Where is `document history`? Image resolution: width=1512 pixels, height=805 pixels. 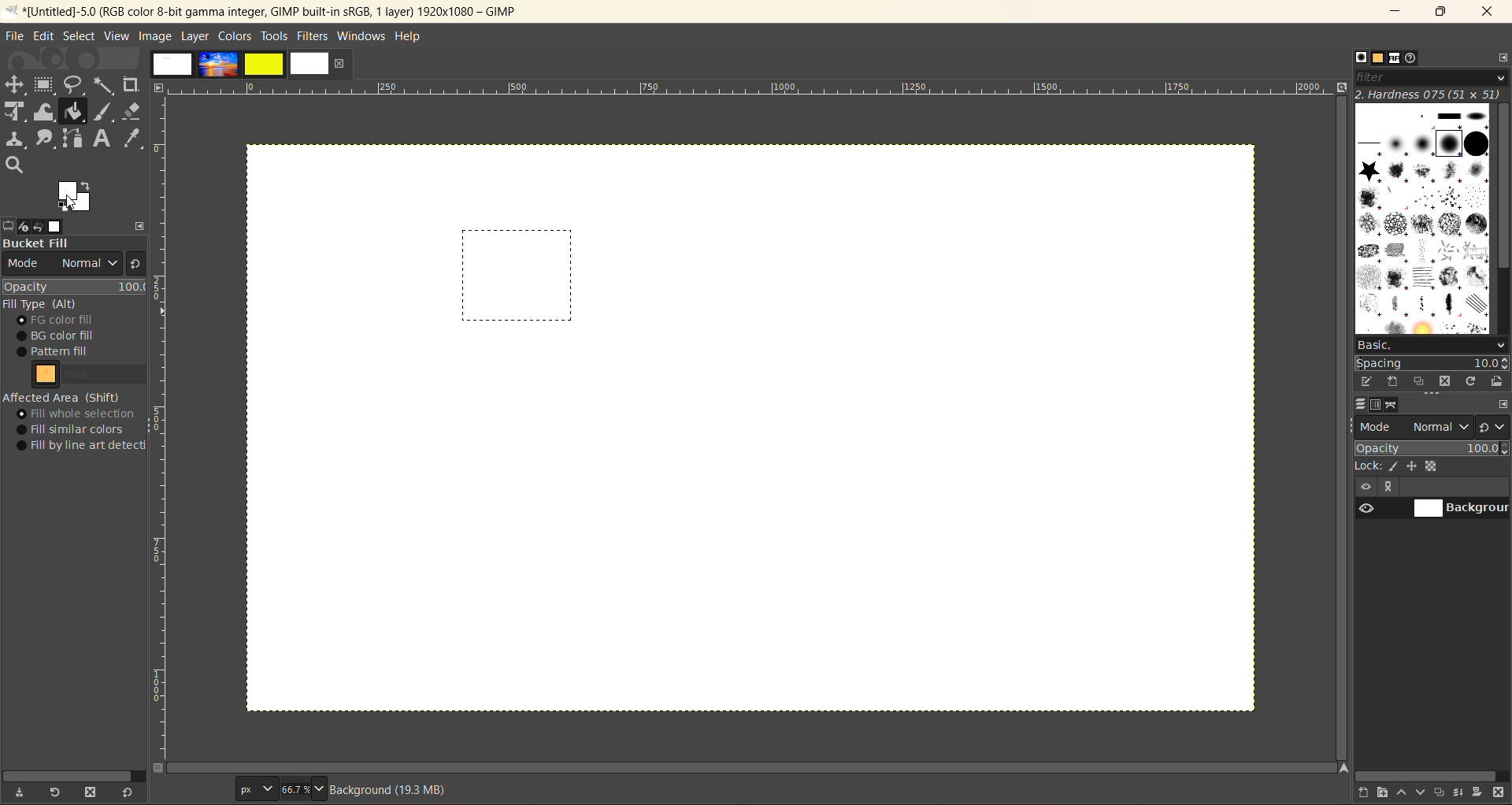 document history is located at coordinates (1413, 59).